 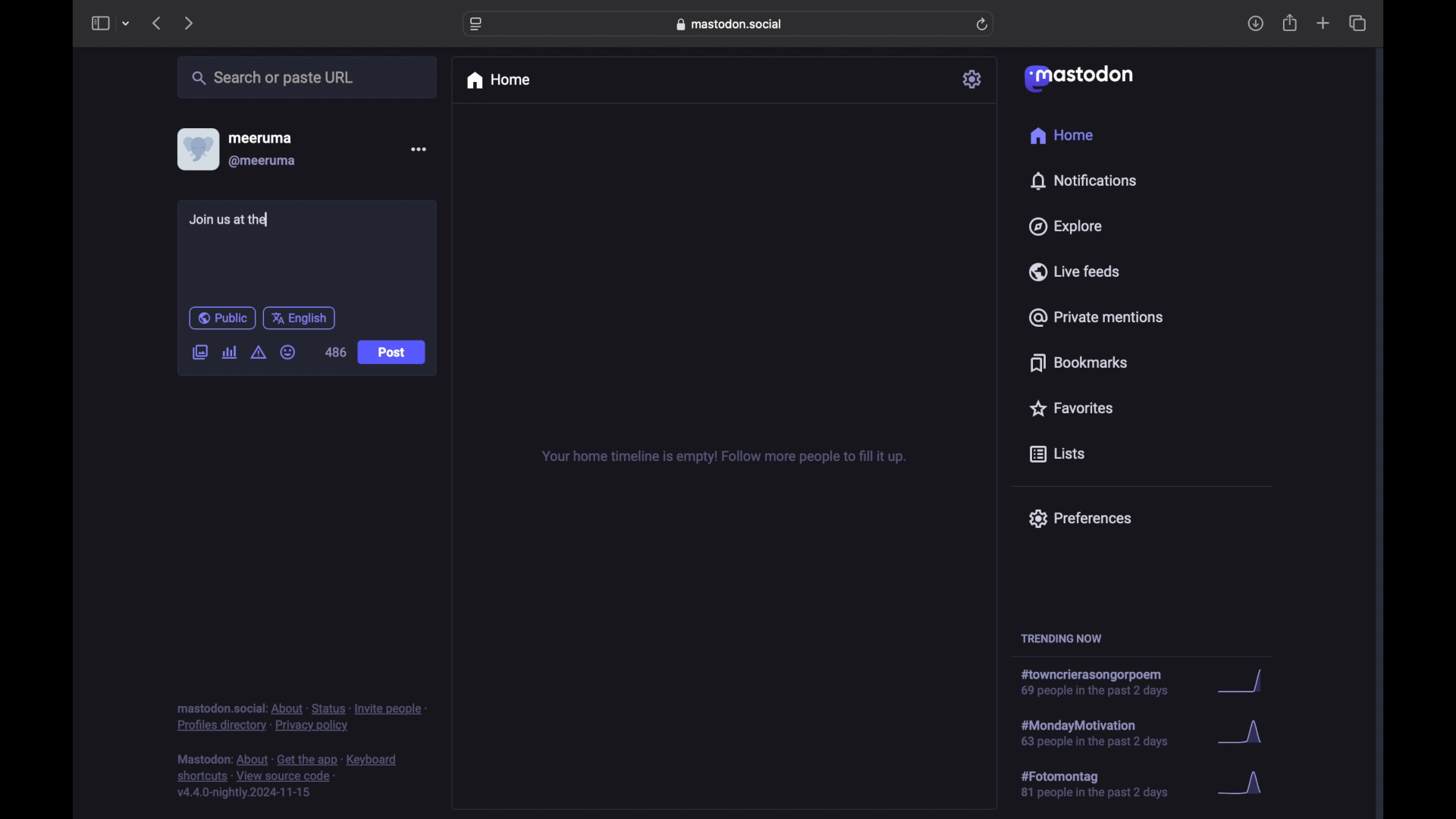 I want to click on 486, so click(x=335, y=353).